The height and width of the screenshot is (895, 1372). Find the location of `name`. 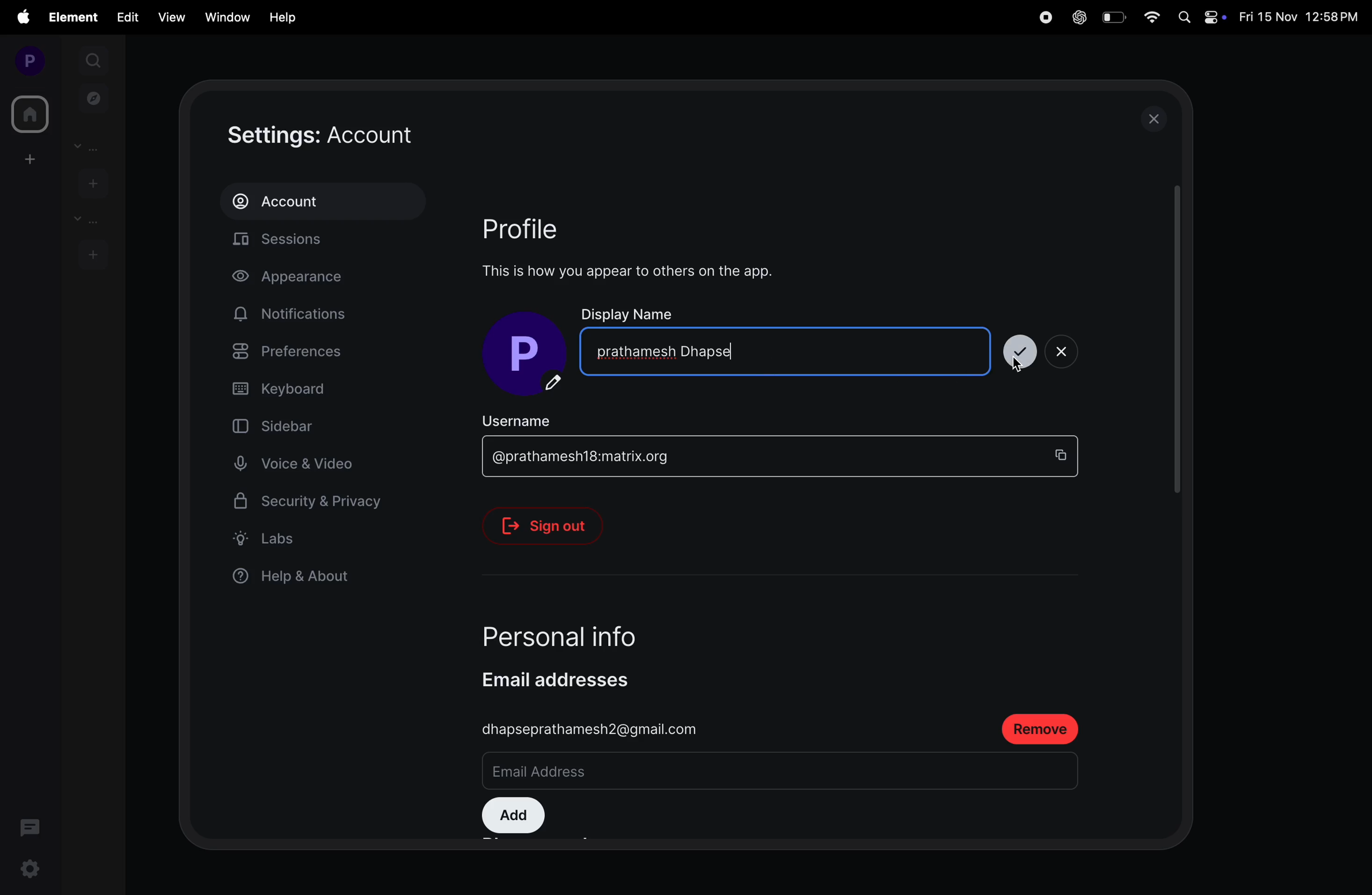

name is located at coordinates (787, 349).